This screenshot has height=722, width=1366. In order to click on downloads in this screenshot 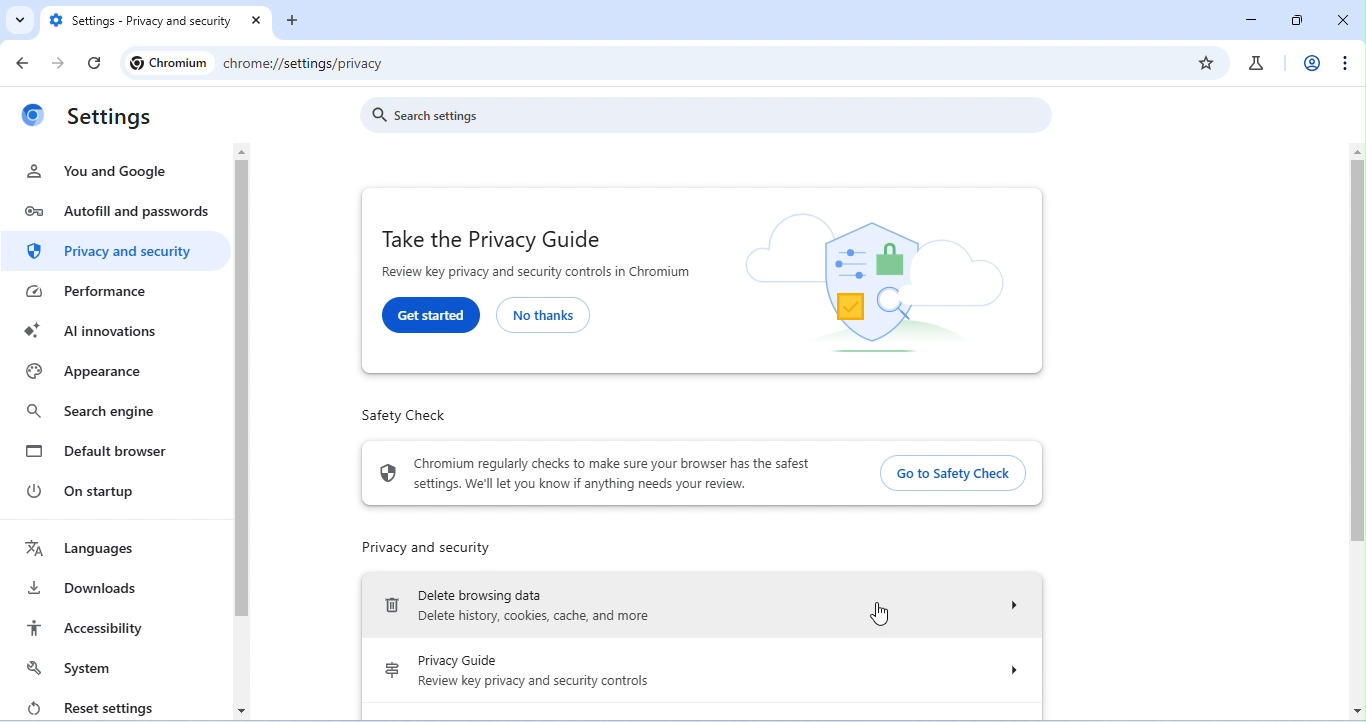, I will do `click(85, 588)`.